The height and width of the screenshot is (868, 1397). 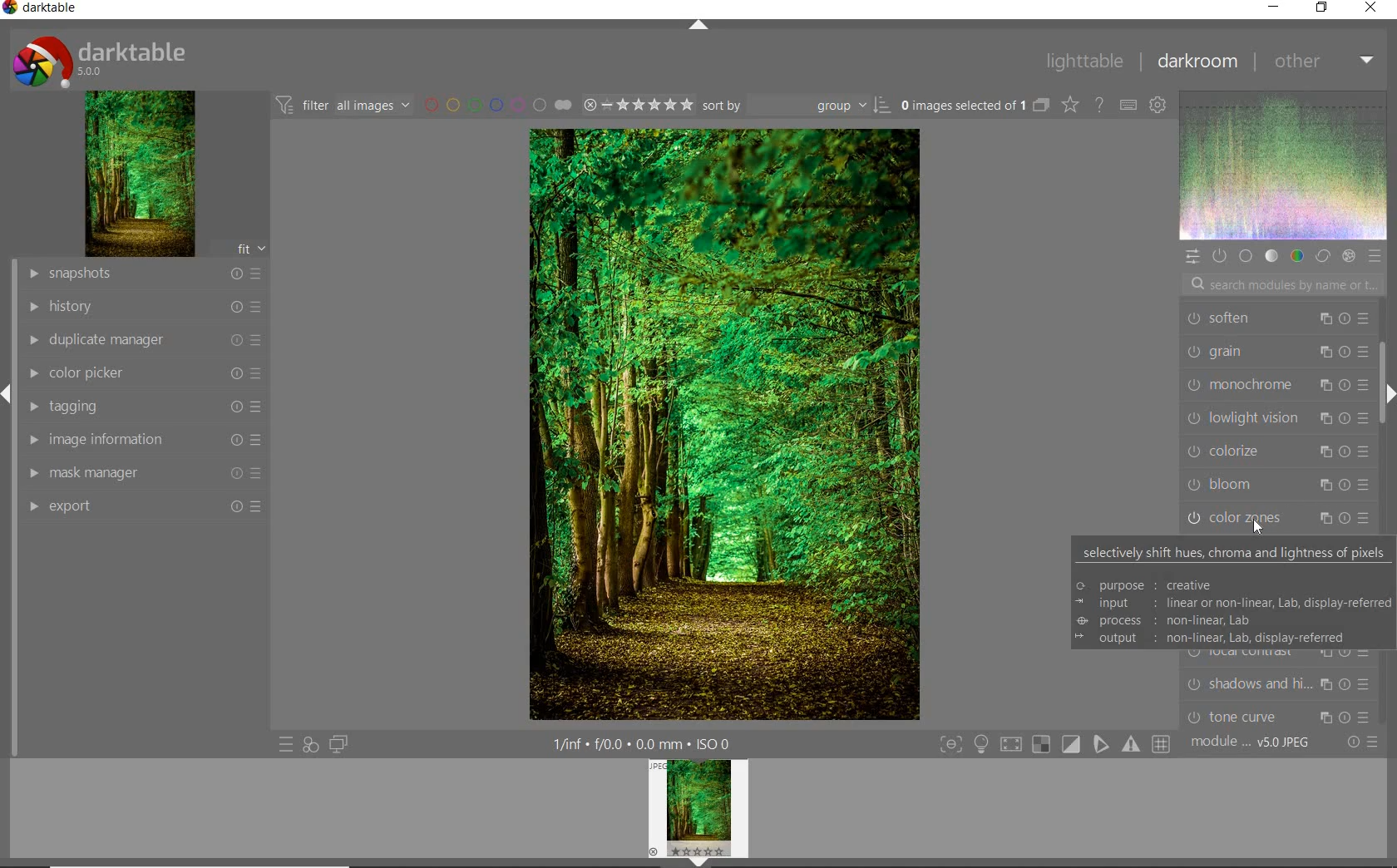 What do you see at coordinates (1299, 256) in the screenshot?
I see `COLOR` at bounding box center [1299, 256].